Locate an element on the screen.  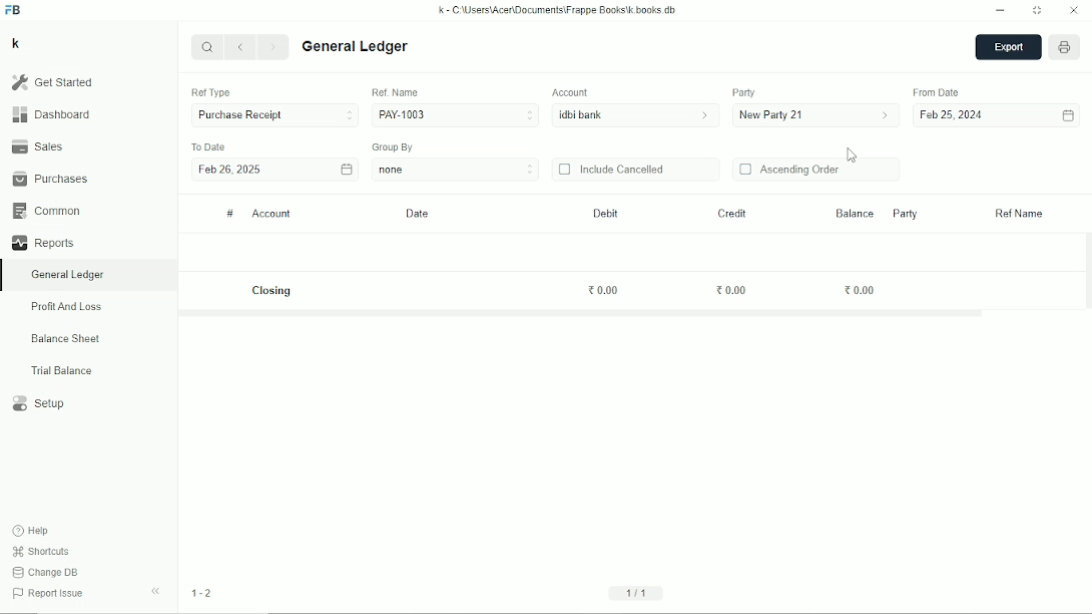
Shortcuts is located at coordinates (42, 552).